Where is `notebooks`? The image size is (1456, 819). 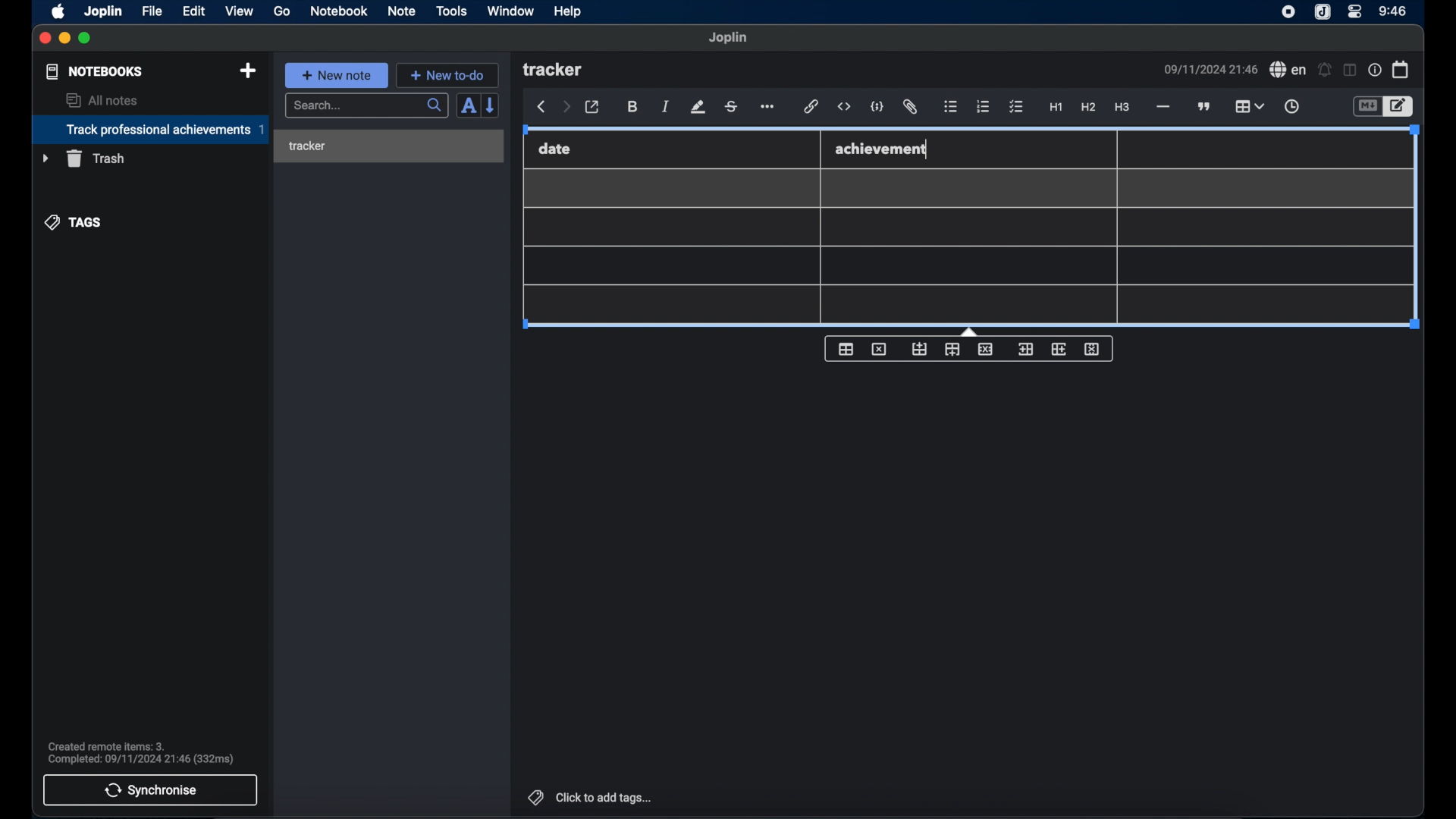
notebooks is located at coordinates (93, 71).